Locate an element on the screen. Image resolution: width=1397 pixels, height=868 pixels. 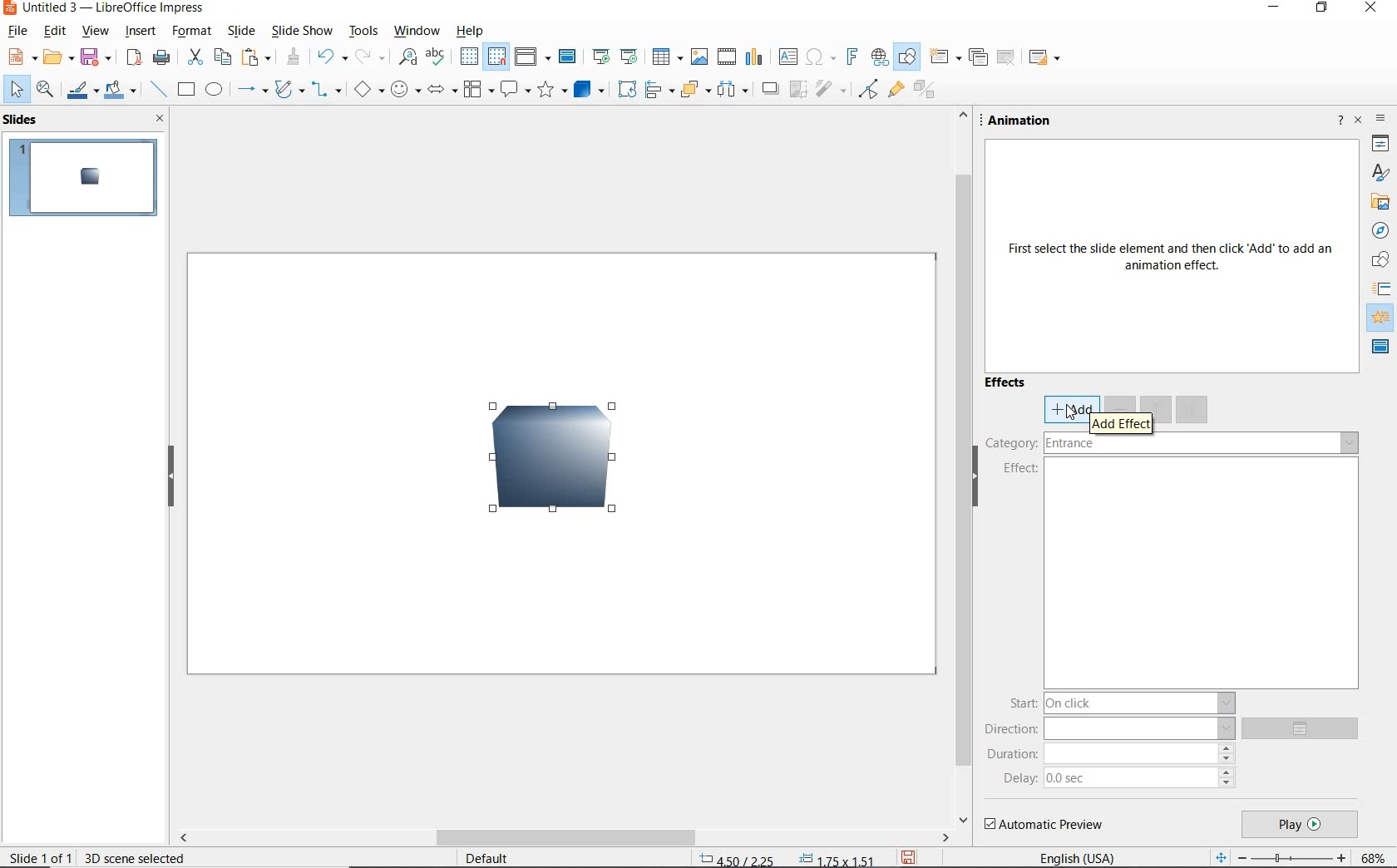
add is located at coordinates (1064, 410).